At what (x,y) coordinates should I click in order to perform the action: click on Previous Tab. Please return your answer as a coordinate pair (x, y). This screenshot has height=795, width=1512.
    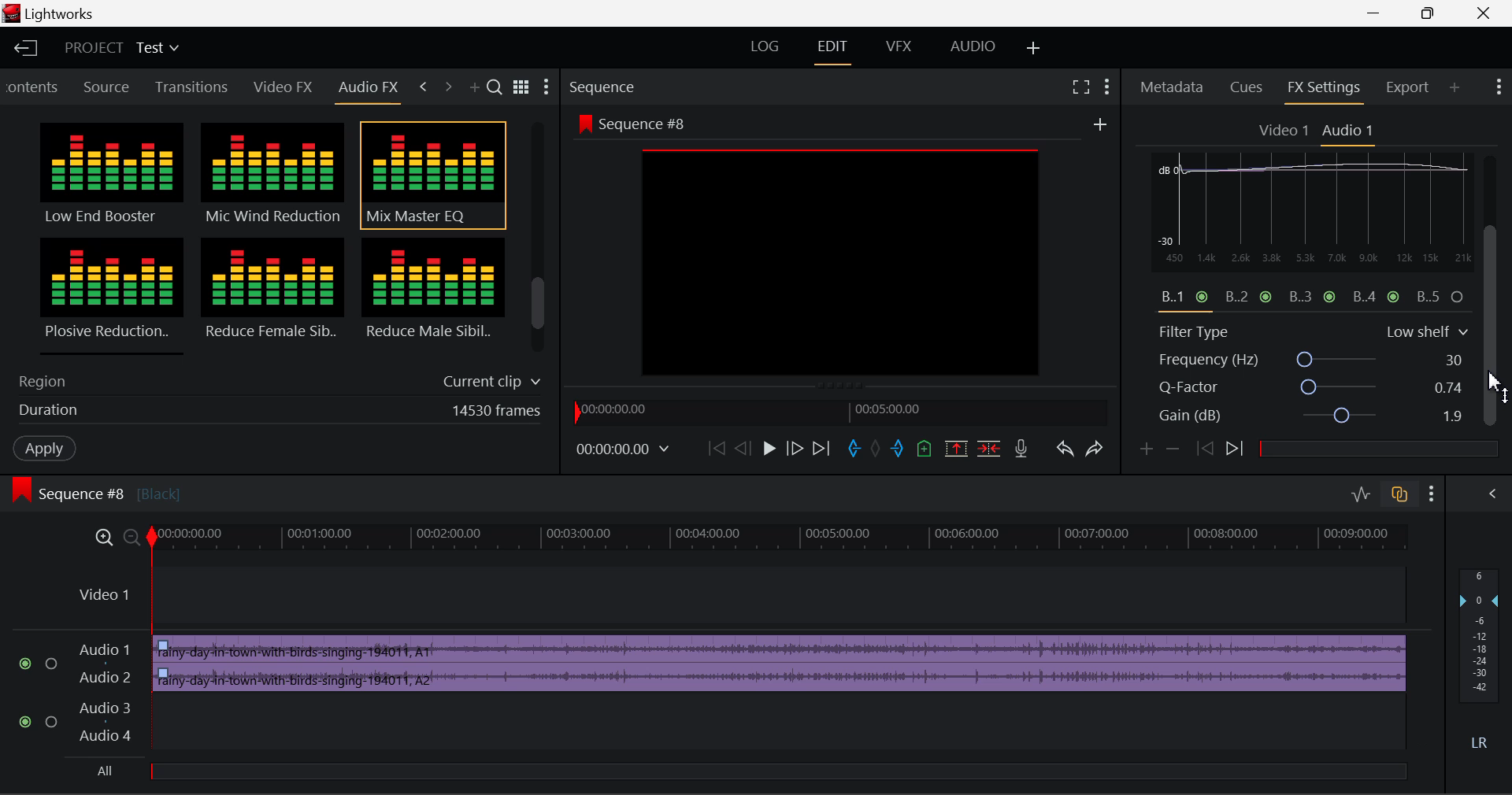
    Looking at the image, I should click on (424, 84).